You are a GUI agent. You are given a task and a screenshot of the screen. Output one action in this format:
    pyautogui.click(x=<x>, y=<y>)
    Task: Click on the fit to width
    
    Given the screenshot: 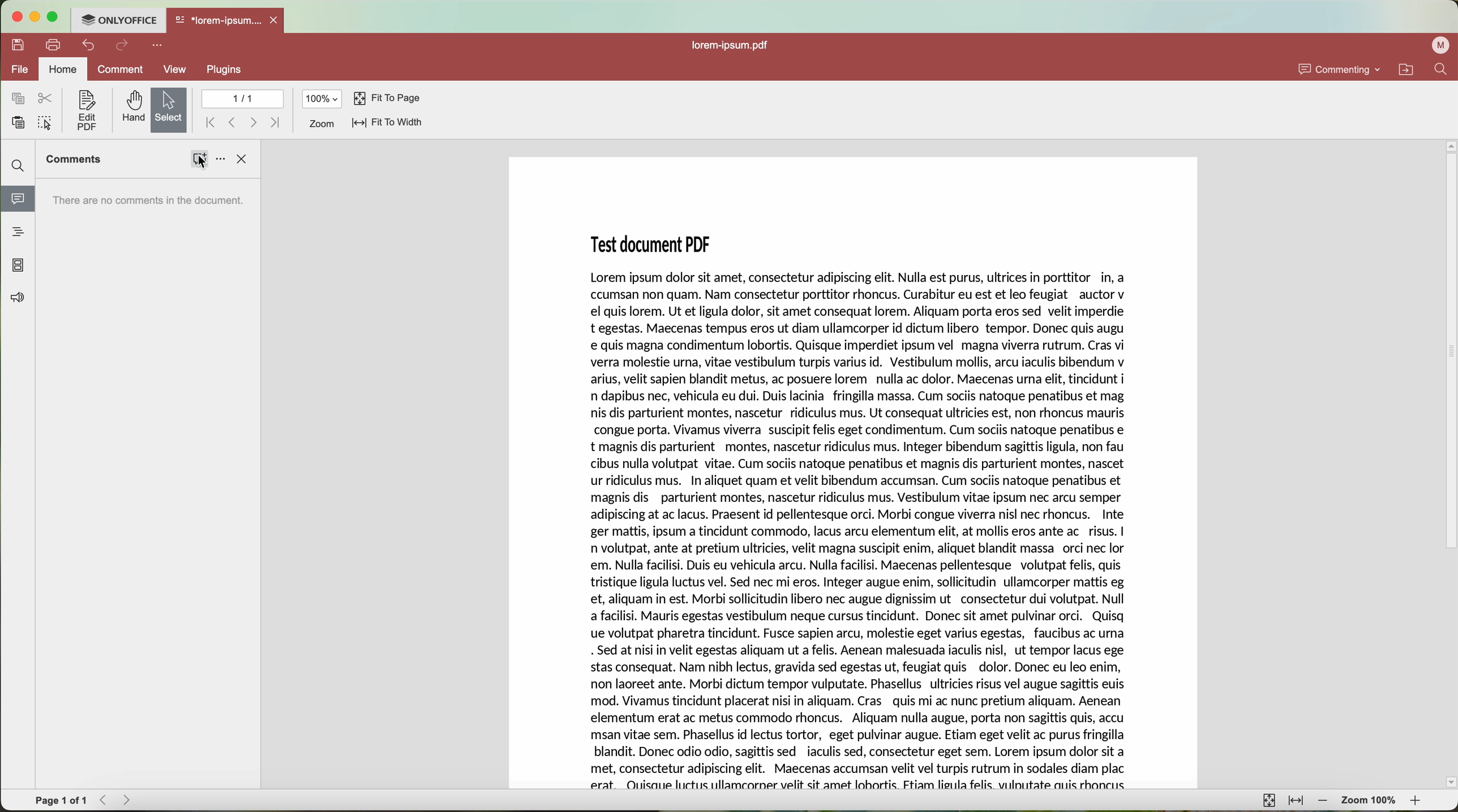 What is the action you would take?
    pyautogui.click(x=1297, y=803)
    